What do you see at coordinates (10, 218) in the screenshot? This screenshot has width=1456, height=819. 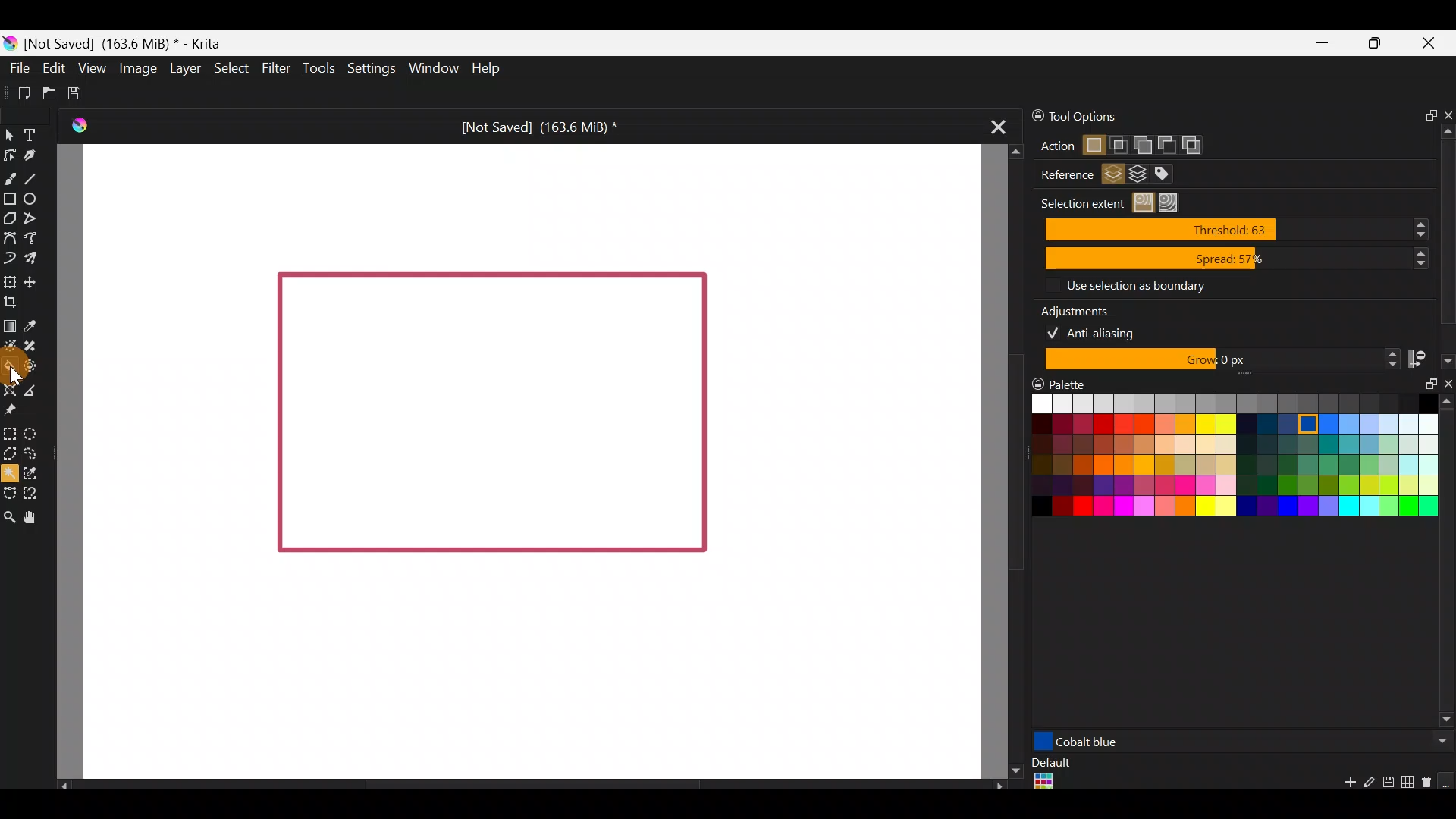 I see `Polygon tool` at bounding box center [10, 218].